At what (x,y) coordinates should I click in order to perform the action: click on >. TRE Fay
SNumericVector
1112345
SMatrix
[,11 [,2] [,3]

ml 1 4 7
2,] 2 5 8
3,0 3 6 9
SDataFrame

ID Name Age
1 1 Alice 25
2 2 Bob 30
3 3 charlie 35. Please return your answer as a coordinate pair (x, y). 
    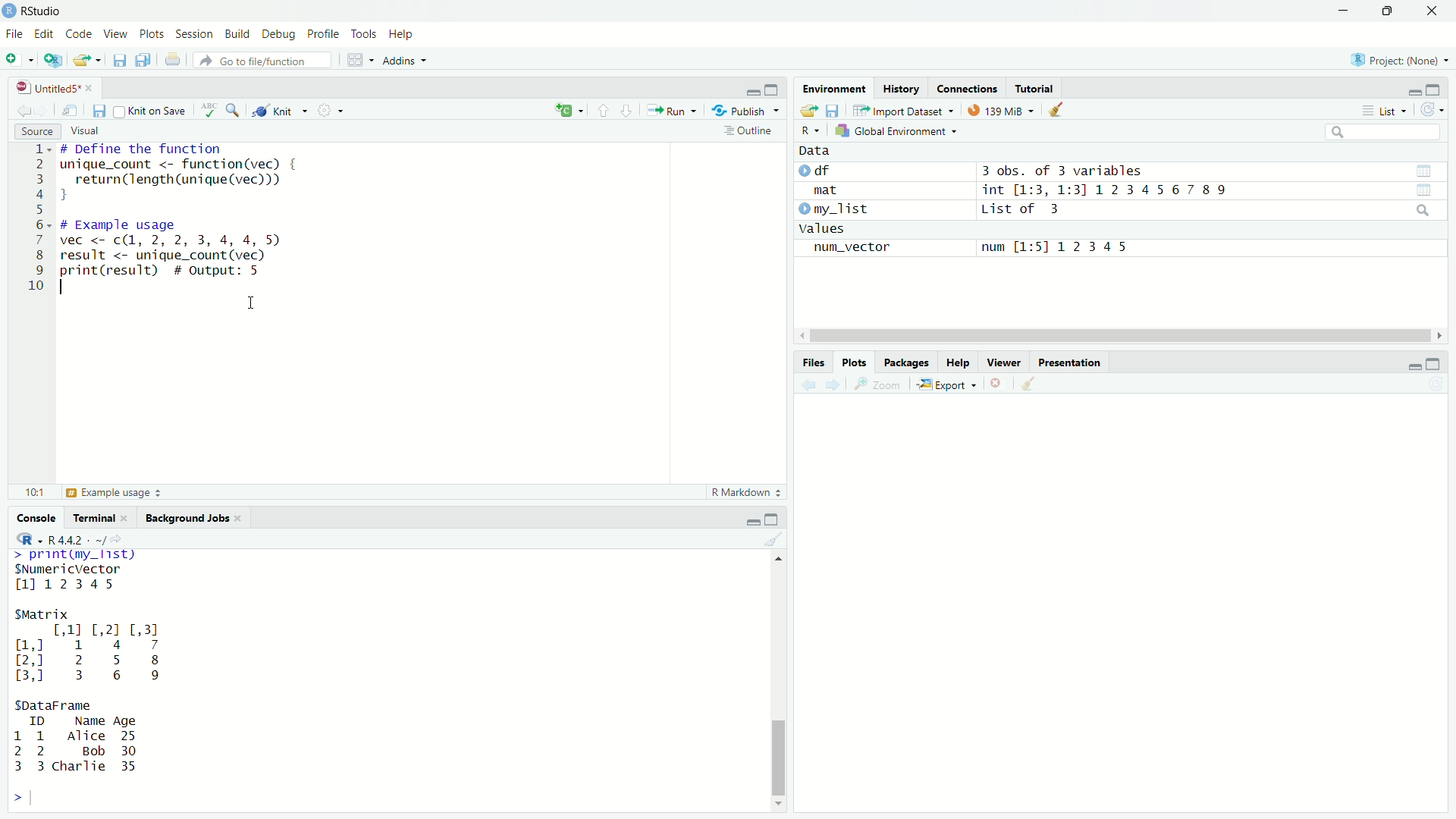
    Looking at the image, I should click on (92, 666).